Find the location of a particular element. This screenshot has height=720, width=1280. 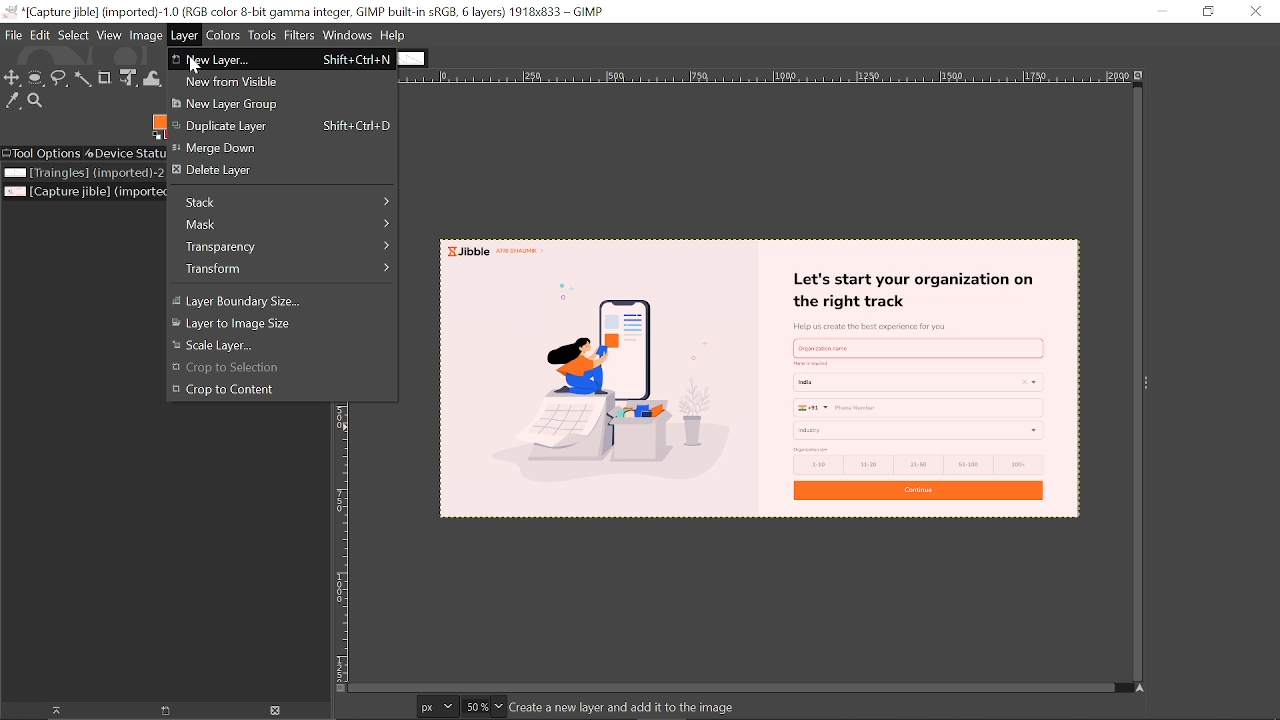

Ellipse select tool is located at coordinates (36, 79).